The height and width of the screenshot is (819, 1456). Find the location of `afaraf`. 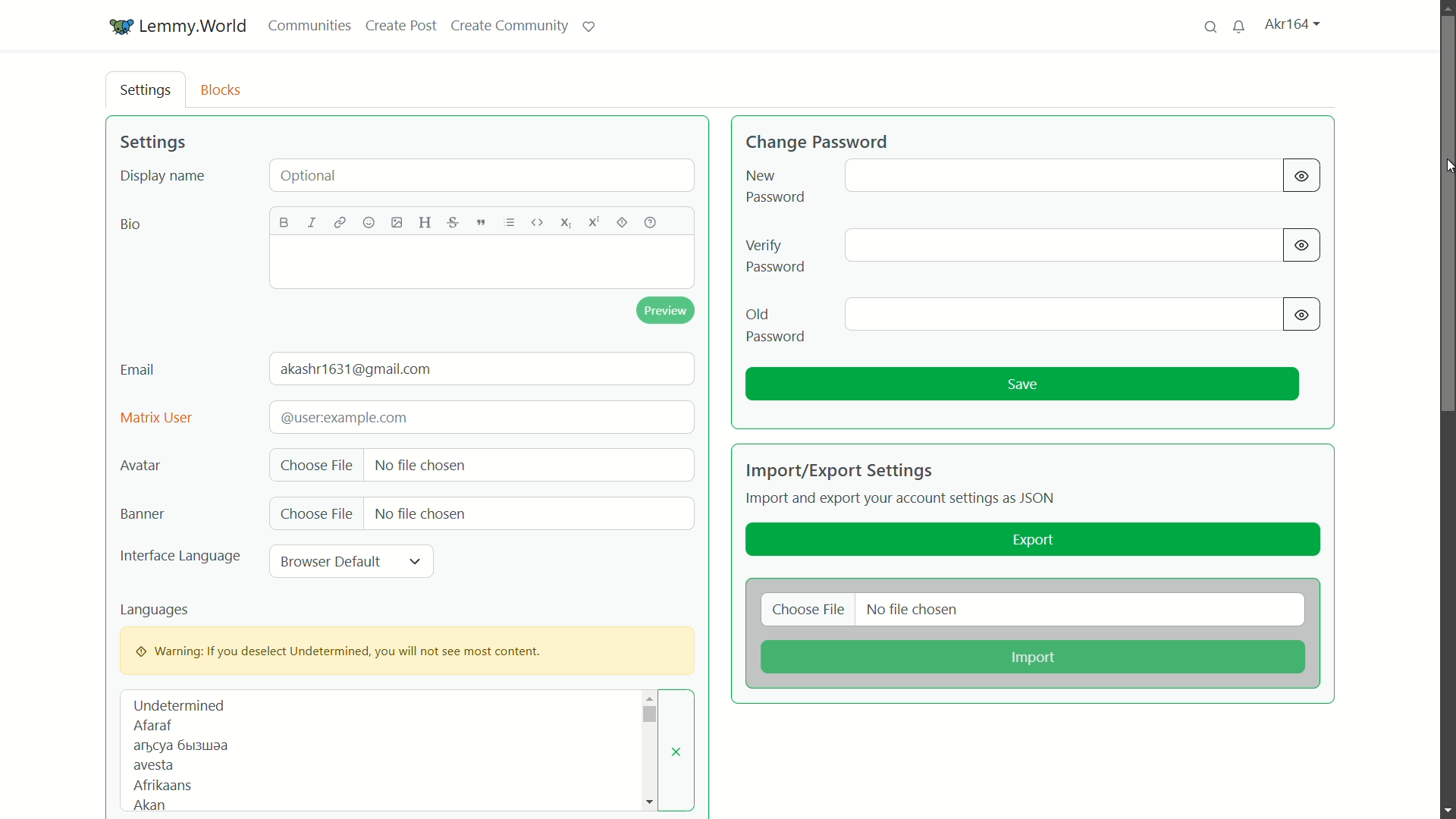

afaraf is located at coordinates (152, 726).